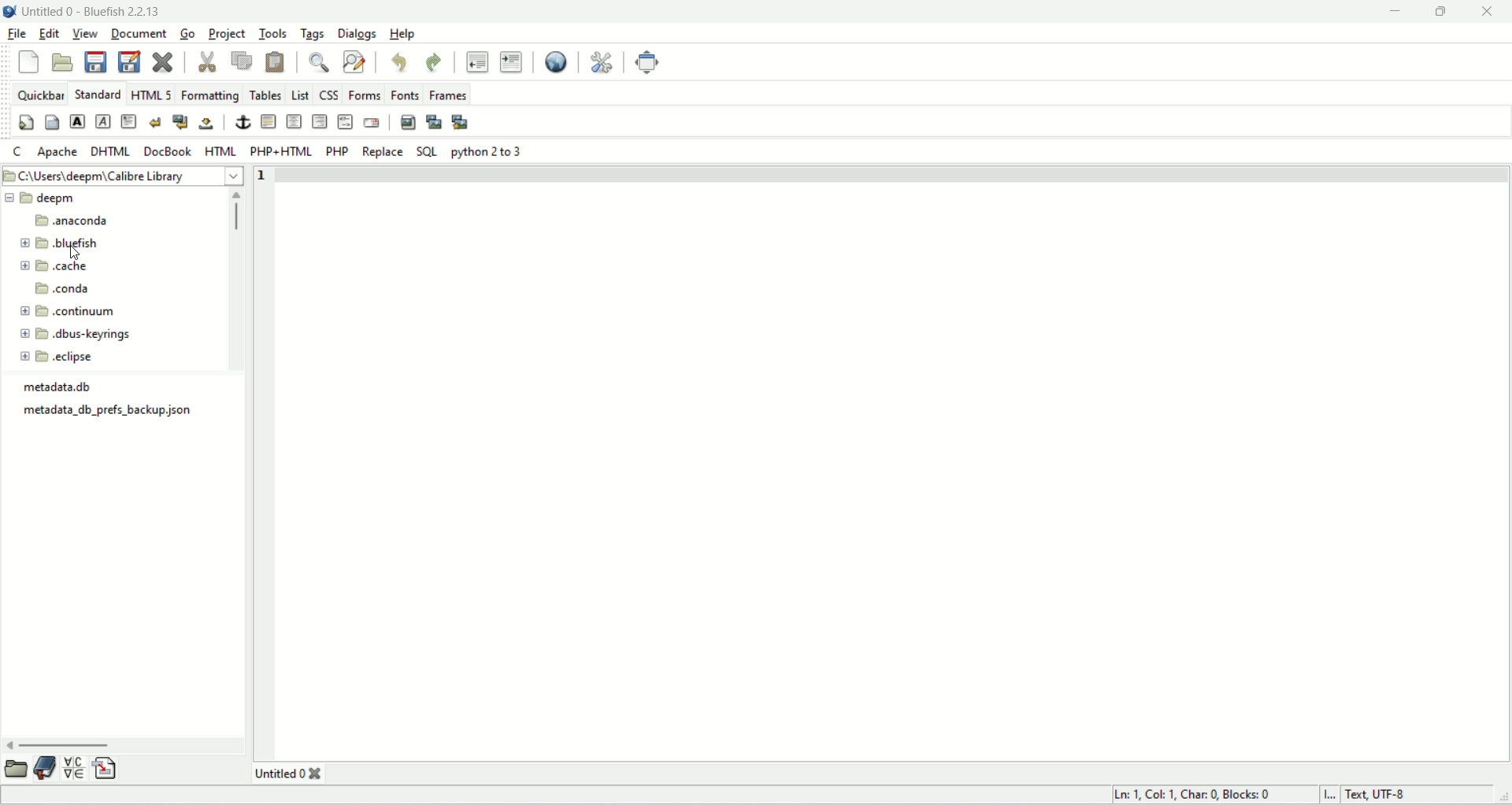  Describe the element at coordinates (234, 276) in the screenshot. I see `vertical scroll bar` at that location.